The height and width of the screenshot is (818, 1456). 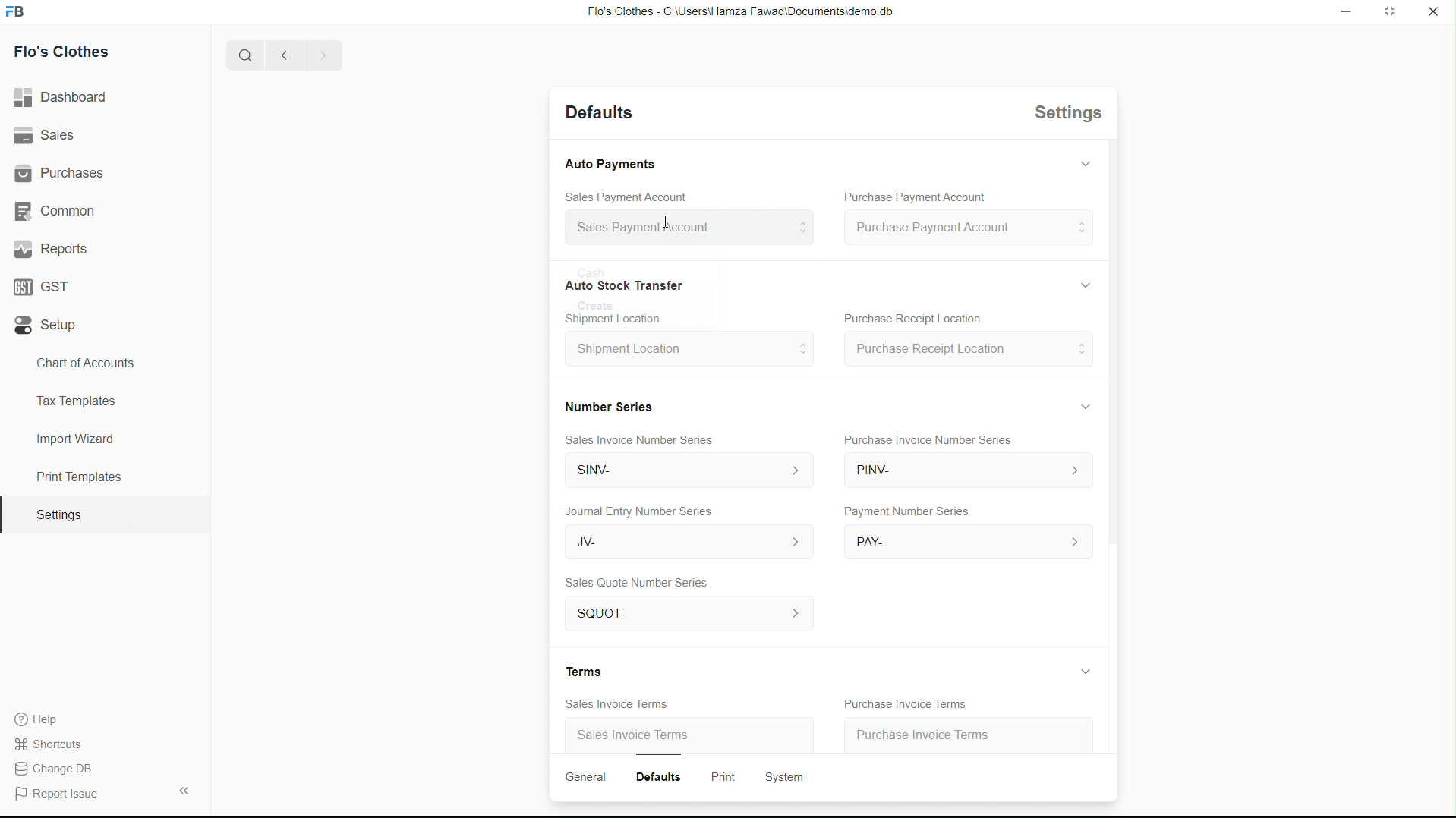 What do you see at coordinates (1083, 670) in the screenshot?
I see `Hide ` at bounding box center [1083, 670].